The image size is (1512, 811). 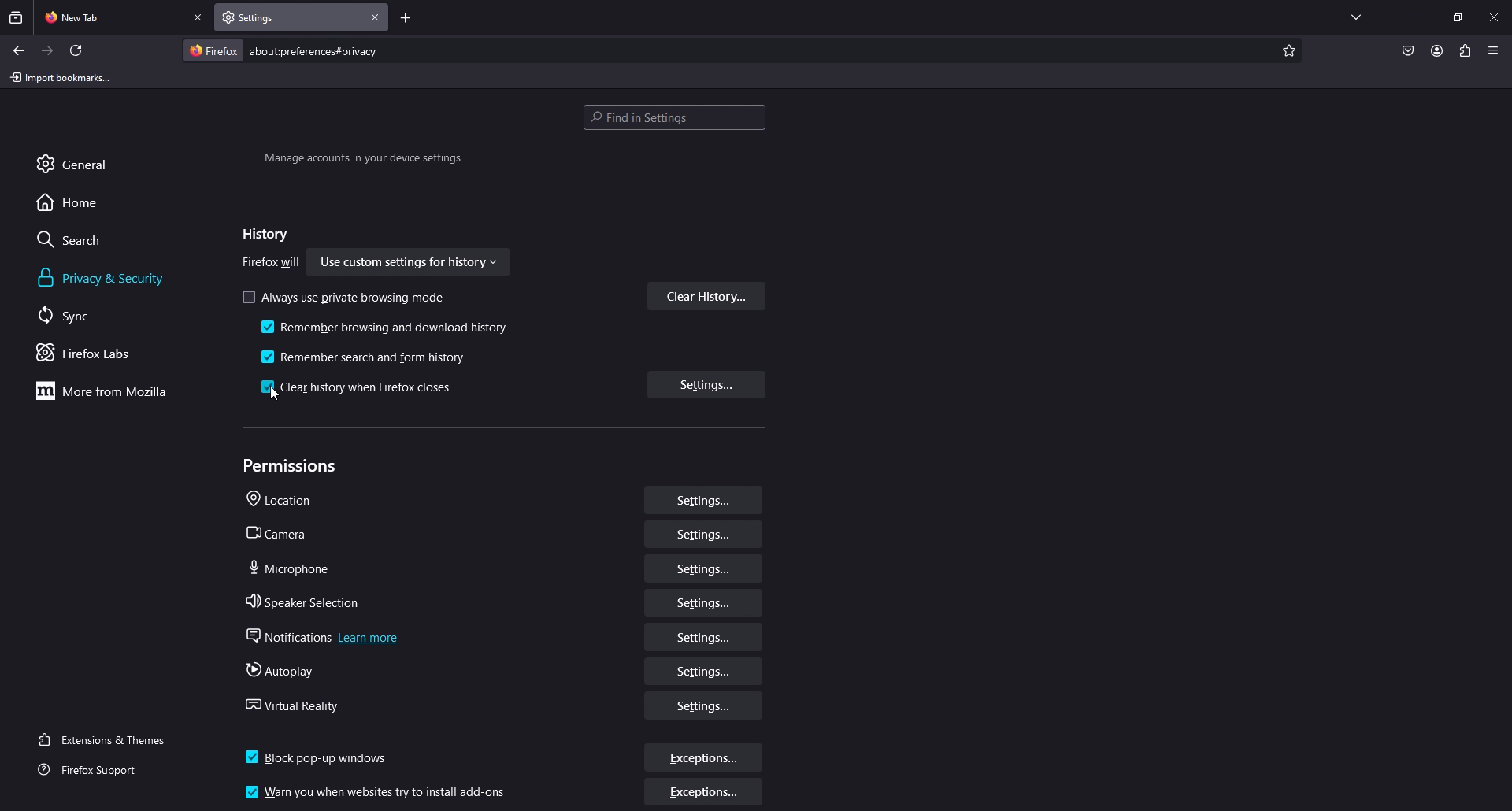 What do you see at coordinates (708, 383) in the screenshot?
I see `settings` at bounding box center [708, 383].